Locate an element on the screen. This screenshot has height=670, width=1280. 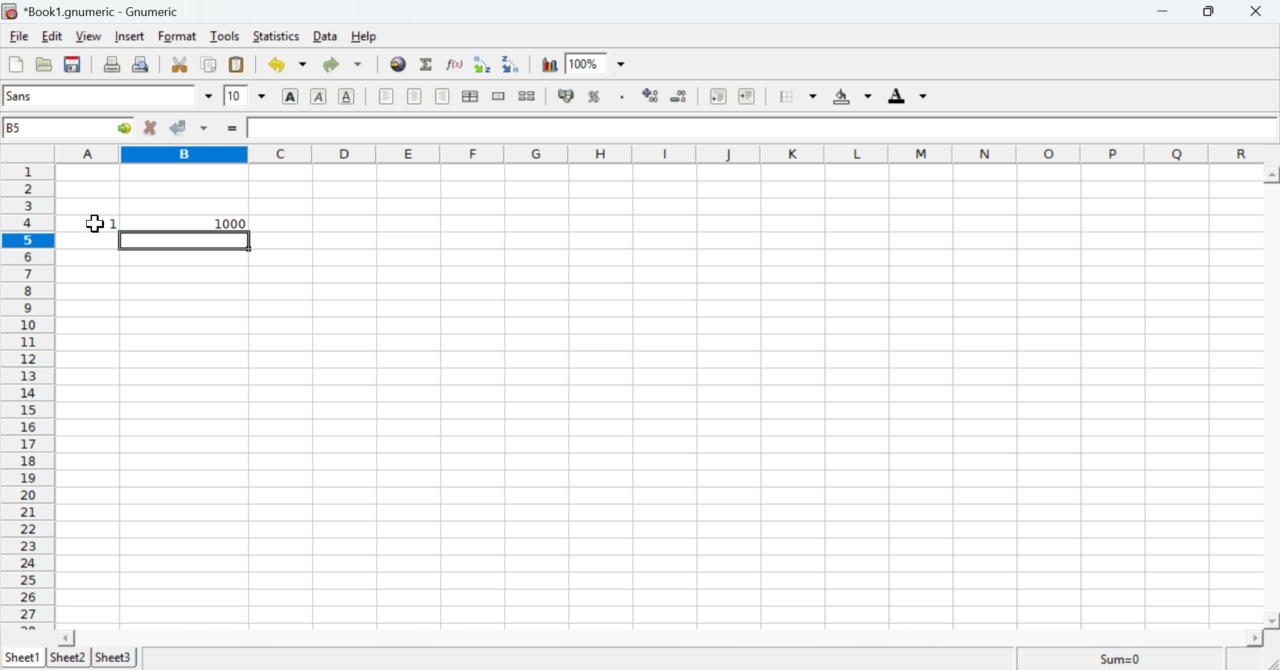
Merge a range of cells is located at coordinates (498, 96).